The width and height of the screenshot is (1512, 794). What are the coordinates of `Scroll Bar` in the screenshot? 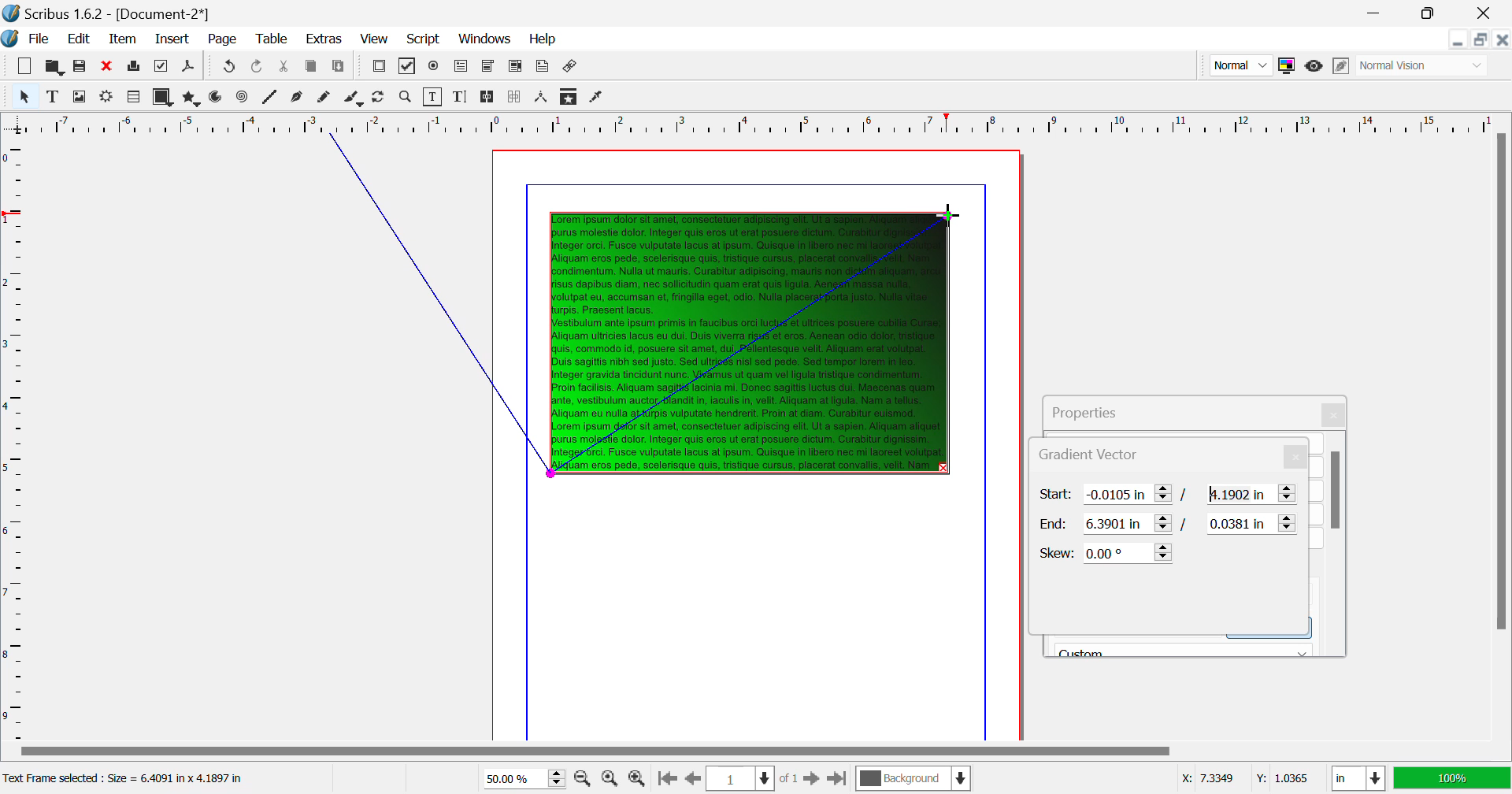 It's located at (1336, 544).